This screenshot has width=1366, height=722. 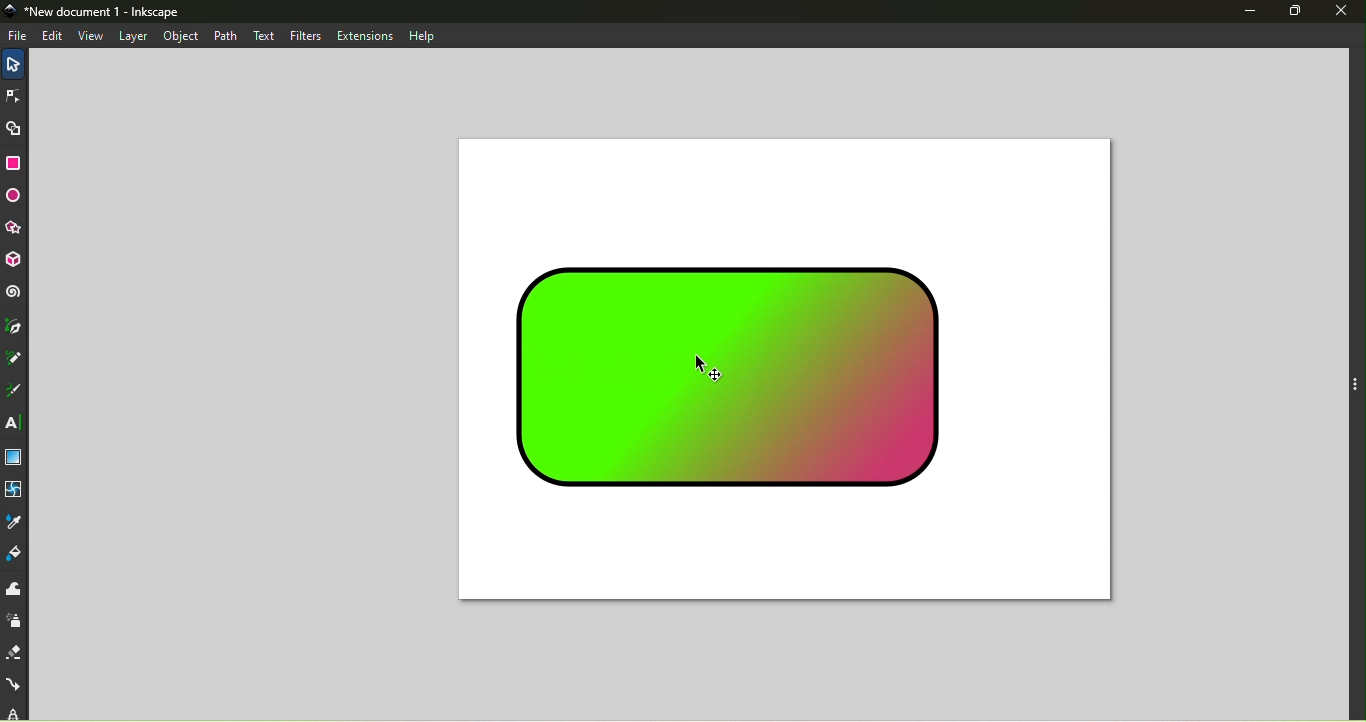 I want to click on Tweak tool, so click(x=13, y=589).